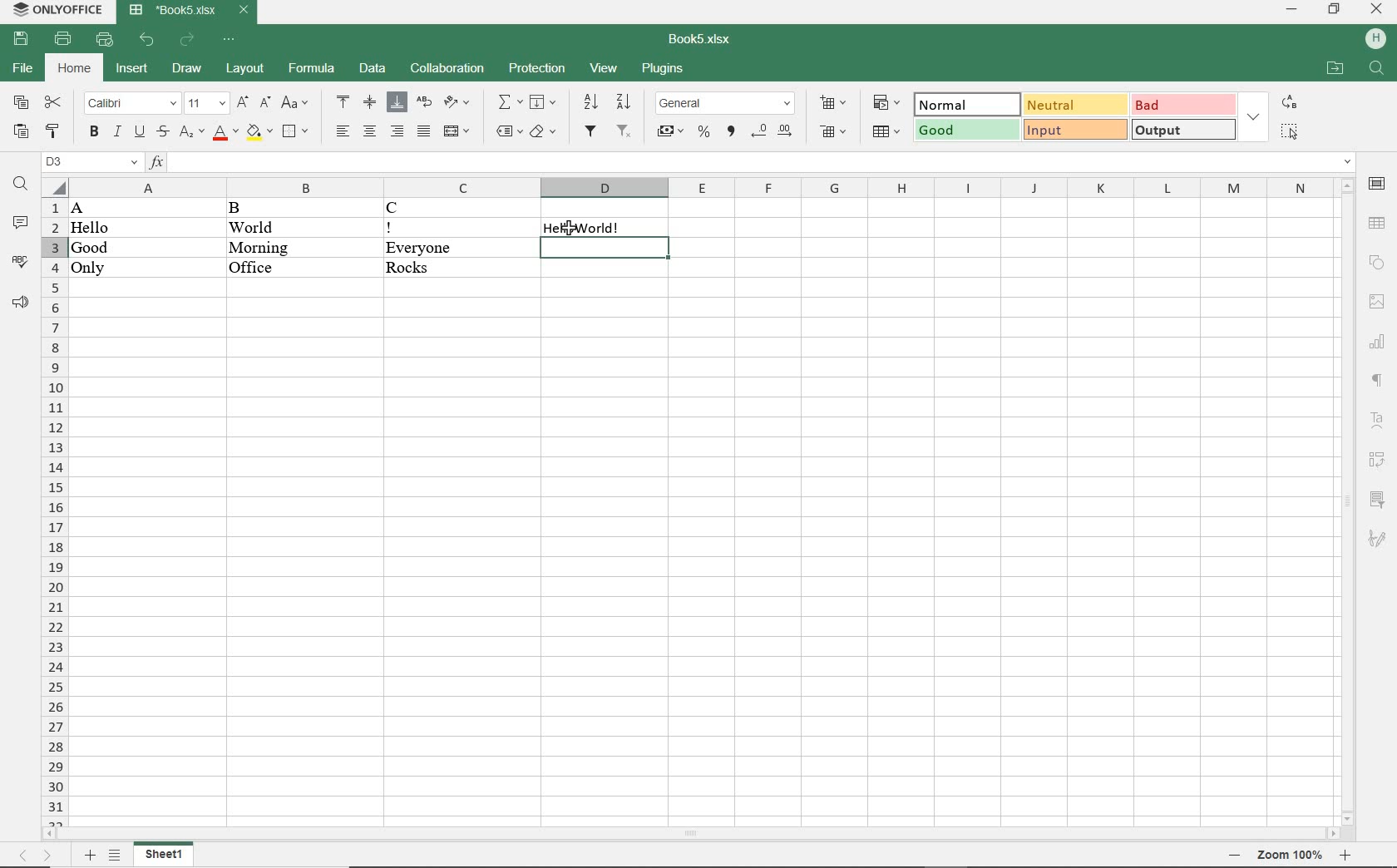 Image resolution: width=1397 pixels, height=868 pixels. Describe the element at coordinates (701, 41) in the screenshot. I see `DOCUMENT NAME` at that location.